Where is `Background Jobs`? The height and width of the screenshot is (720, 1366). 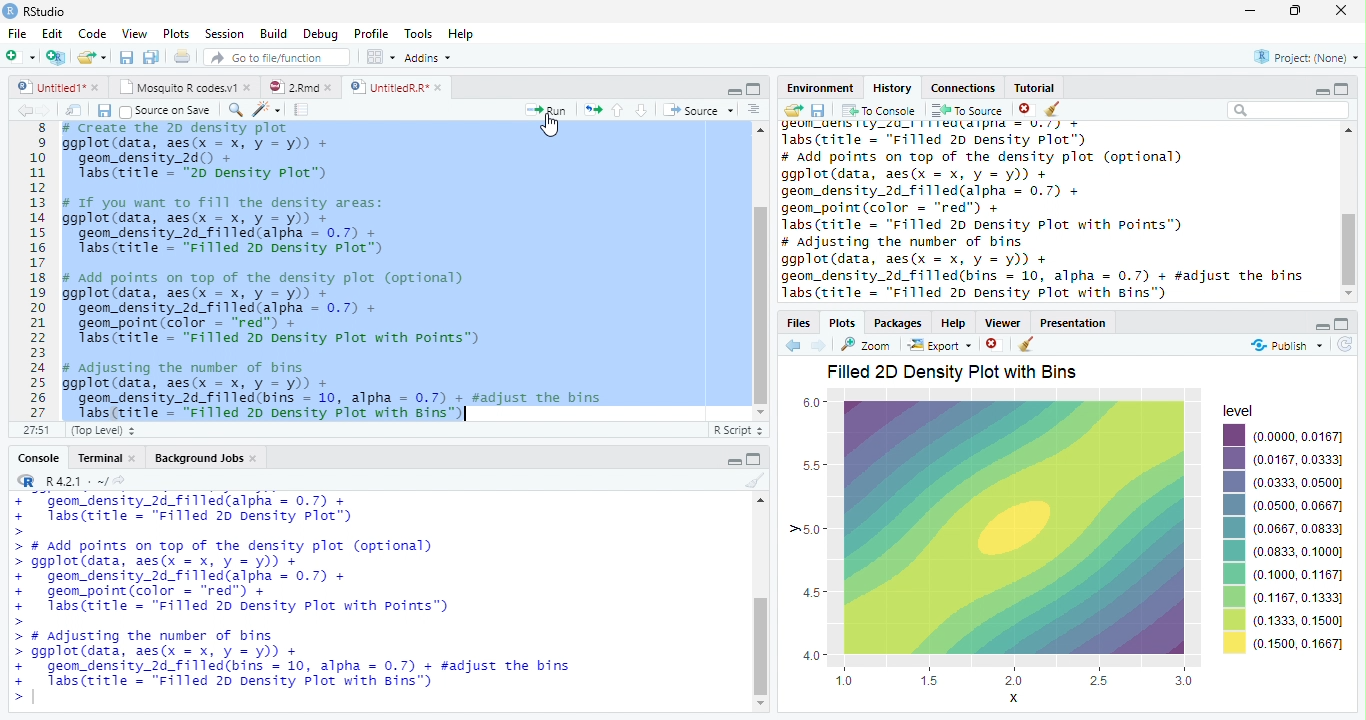
Background Jobs is located at coordinates (200, 459).